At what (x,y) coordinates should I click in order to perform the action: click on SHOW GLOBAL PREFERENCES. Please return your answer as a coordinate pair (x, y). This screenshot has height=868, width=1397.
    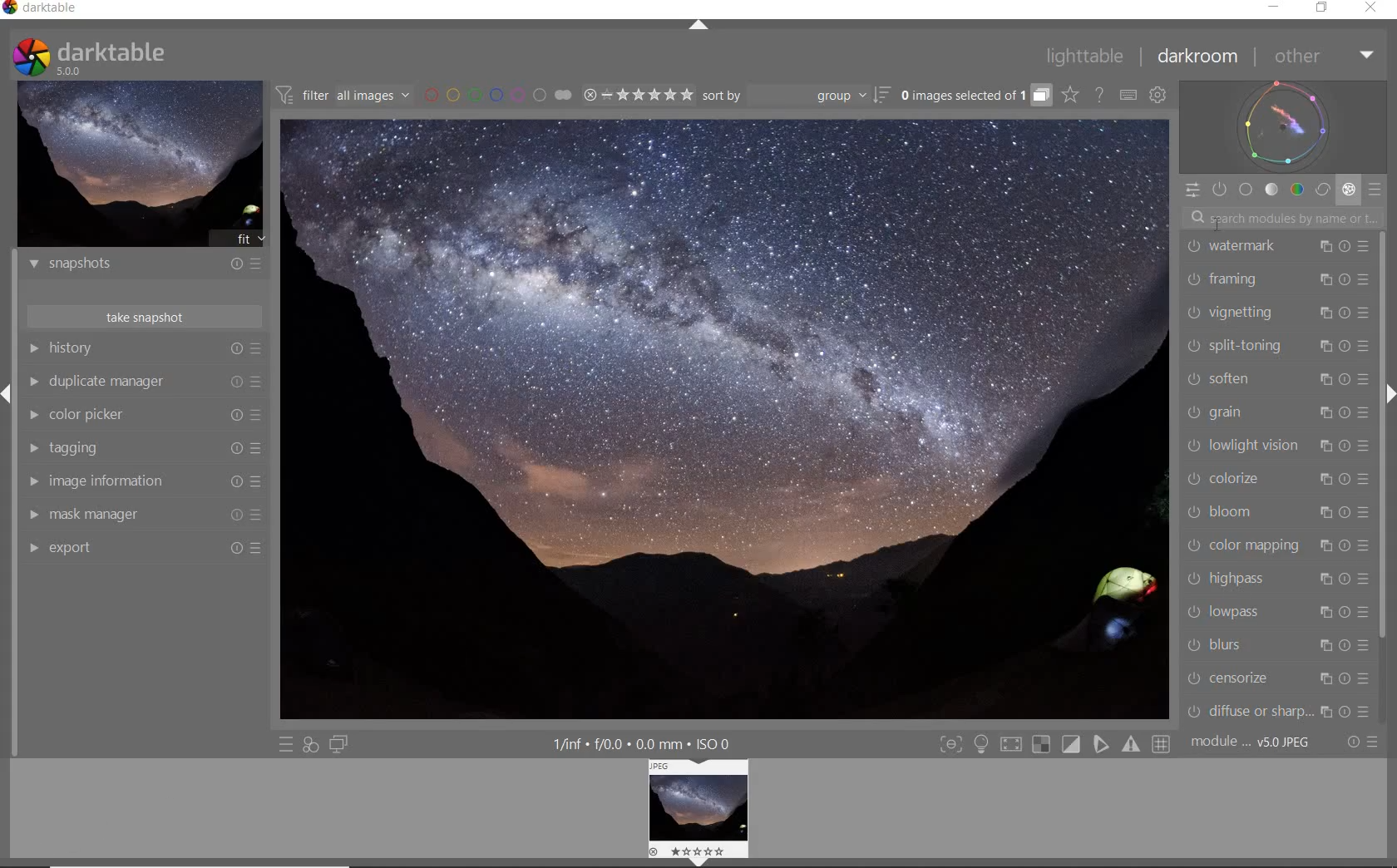
    Looking at the image, I should click on (1157, 94).